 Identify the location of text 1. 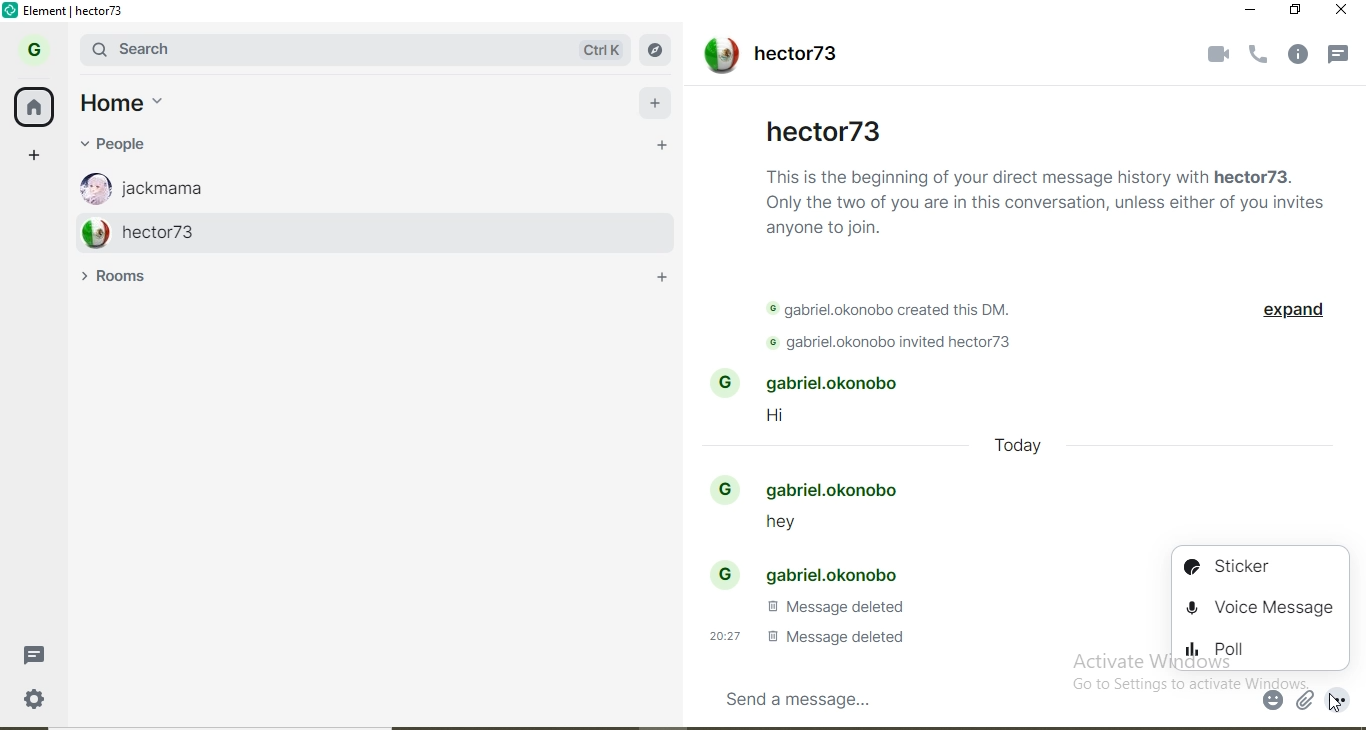
(1046, 199).